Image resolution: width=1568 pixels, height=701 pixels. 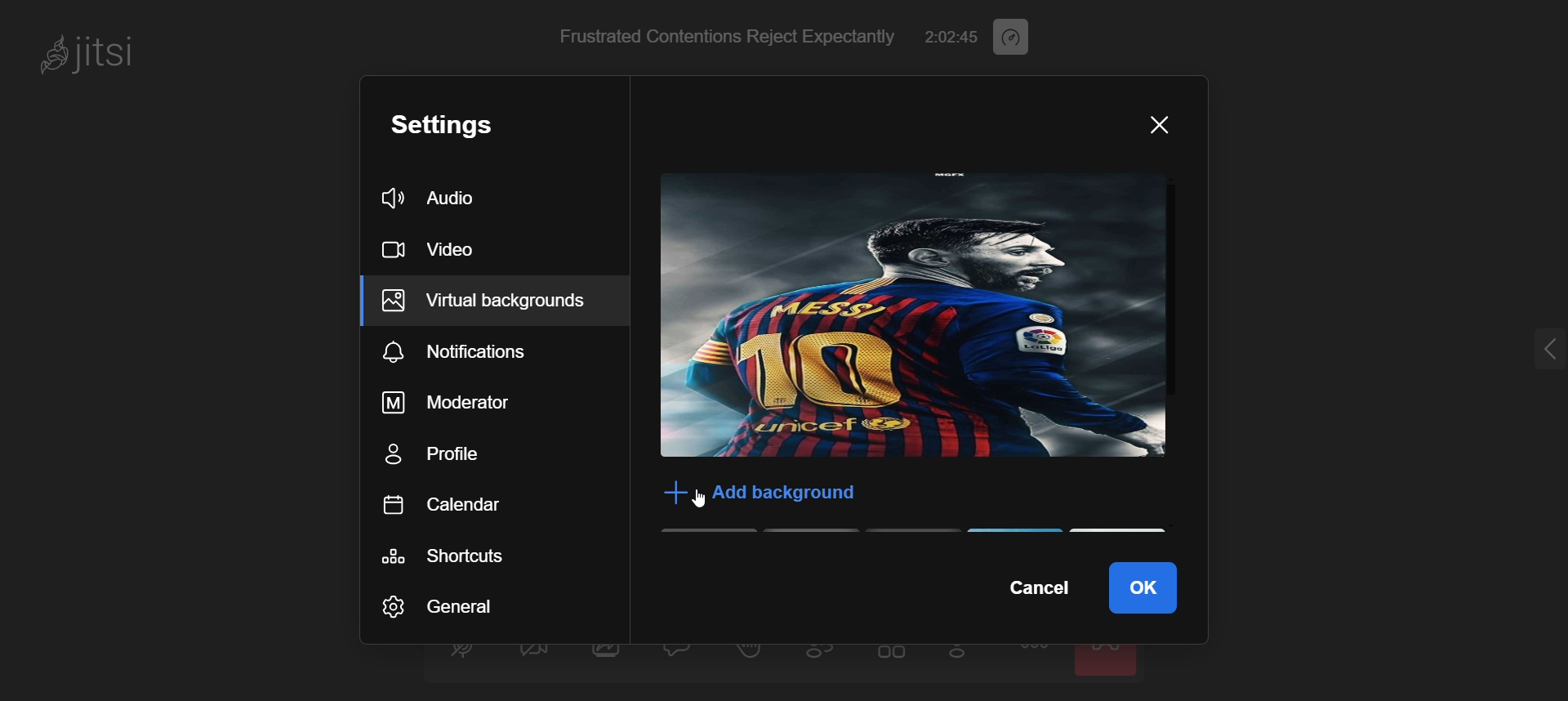 I want to click on cancel, so click(x=1035, y=589).